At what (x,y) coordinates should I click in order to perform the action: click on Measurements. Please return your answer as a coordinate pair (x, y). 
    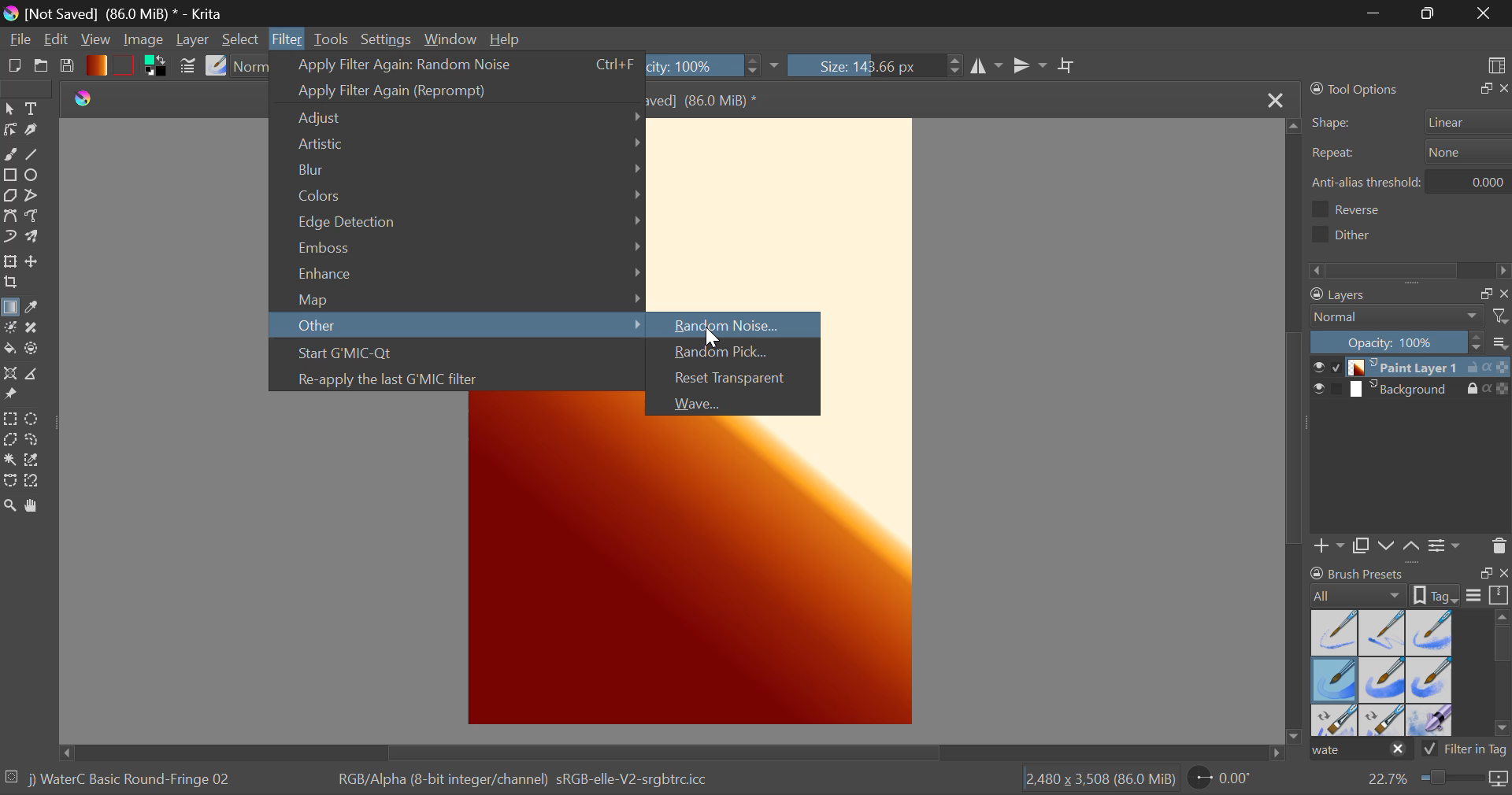
    Looking at the image, I should click on (41, 374).